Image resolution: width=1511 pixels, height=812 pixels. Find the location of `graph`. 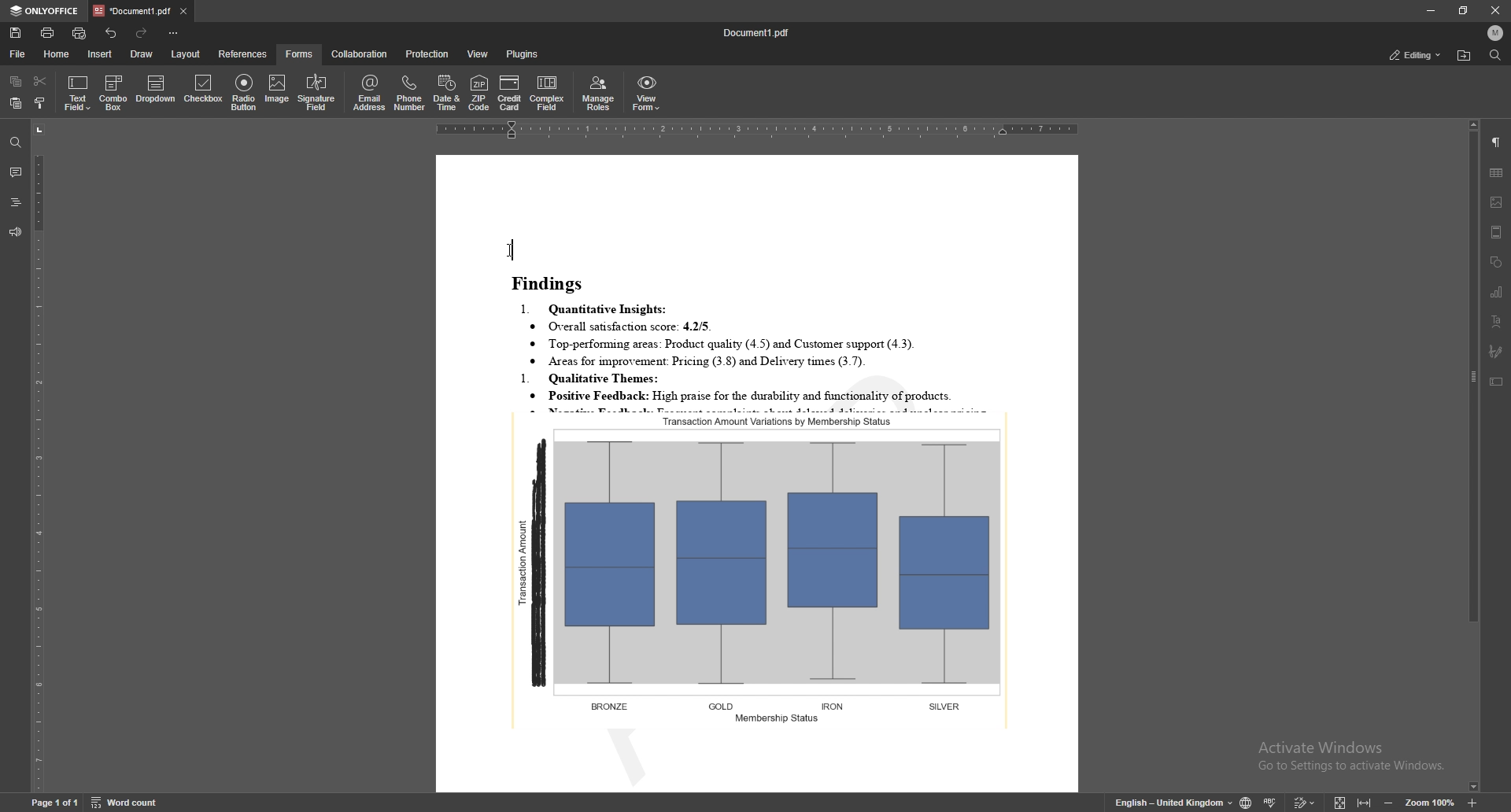

graph is located at coordinates (763, 569).